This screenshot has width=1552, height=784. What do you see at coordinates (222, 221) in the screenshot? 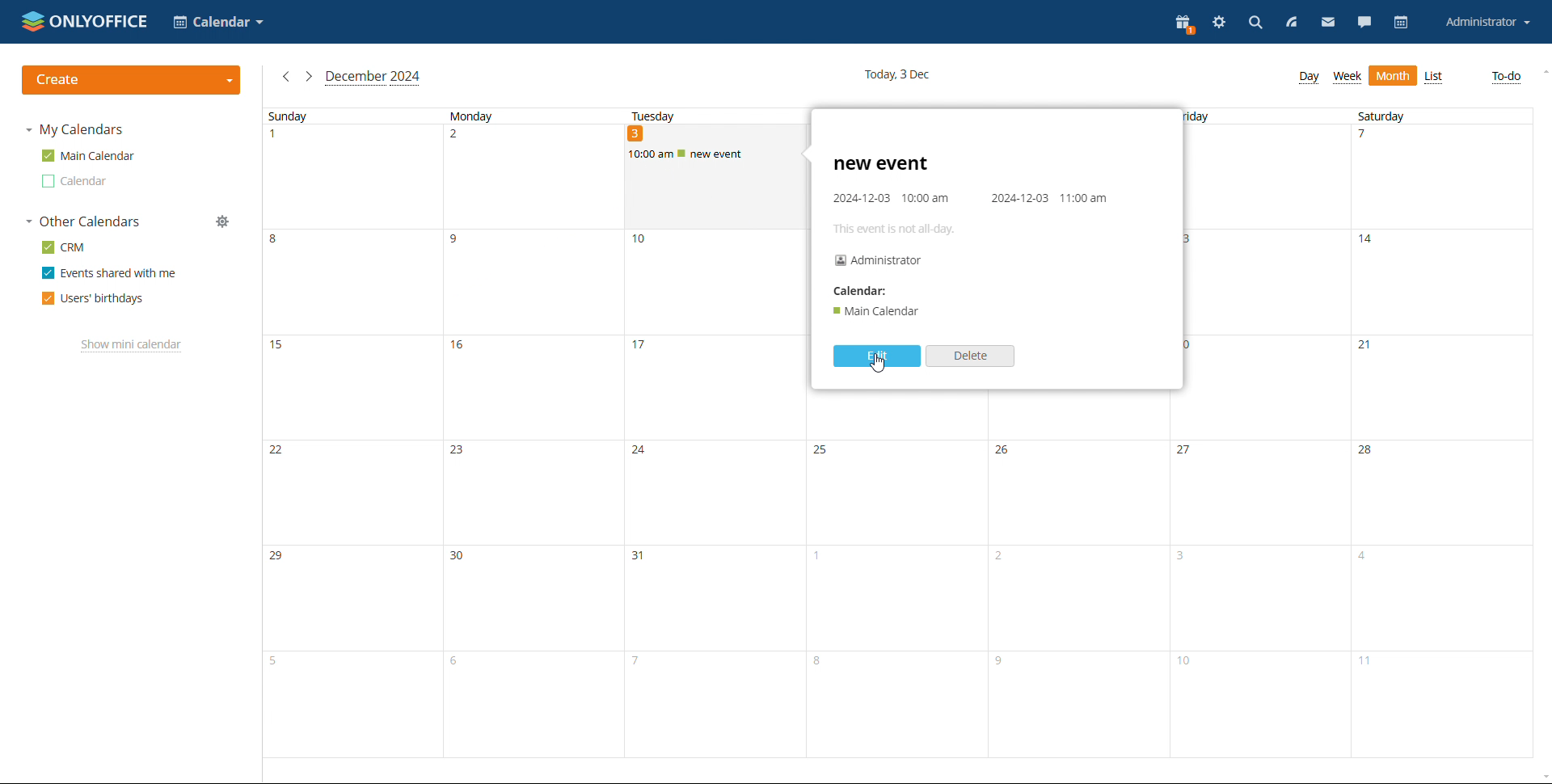
I see `manage` at bounding box center [222, 221].